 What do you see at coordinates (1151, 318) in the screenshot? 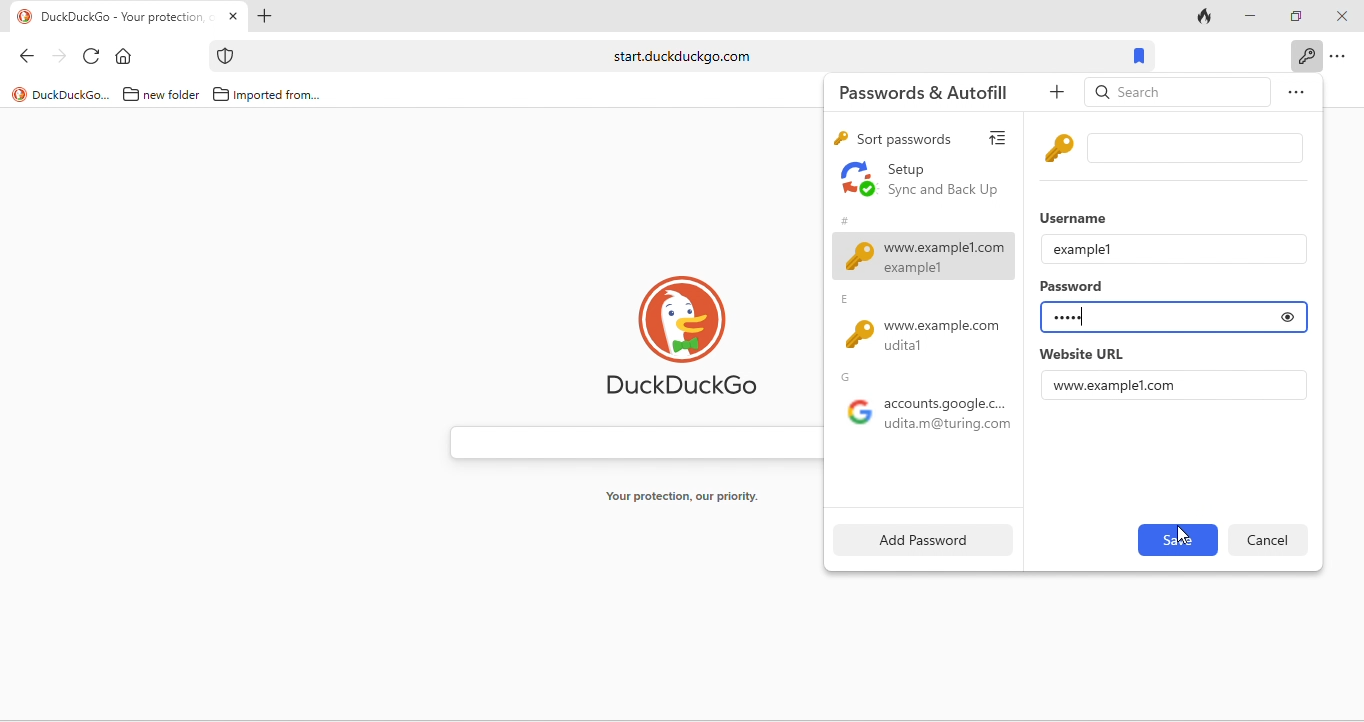
I see `typing password in password input box` at bounding box center [1151, 318].